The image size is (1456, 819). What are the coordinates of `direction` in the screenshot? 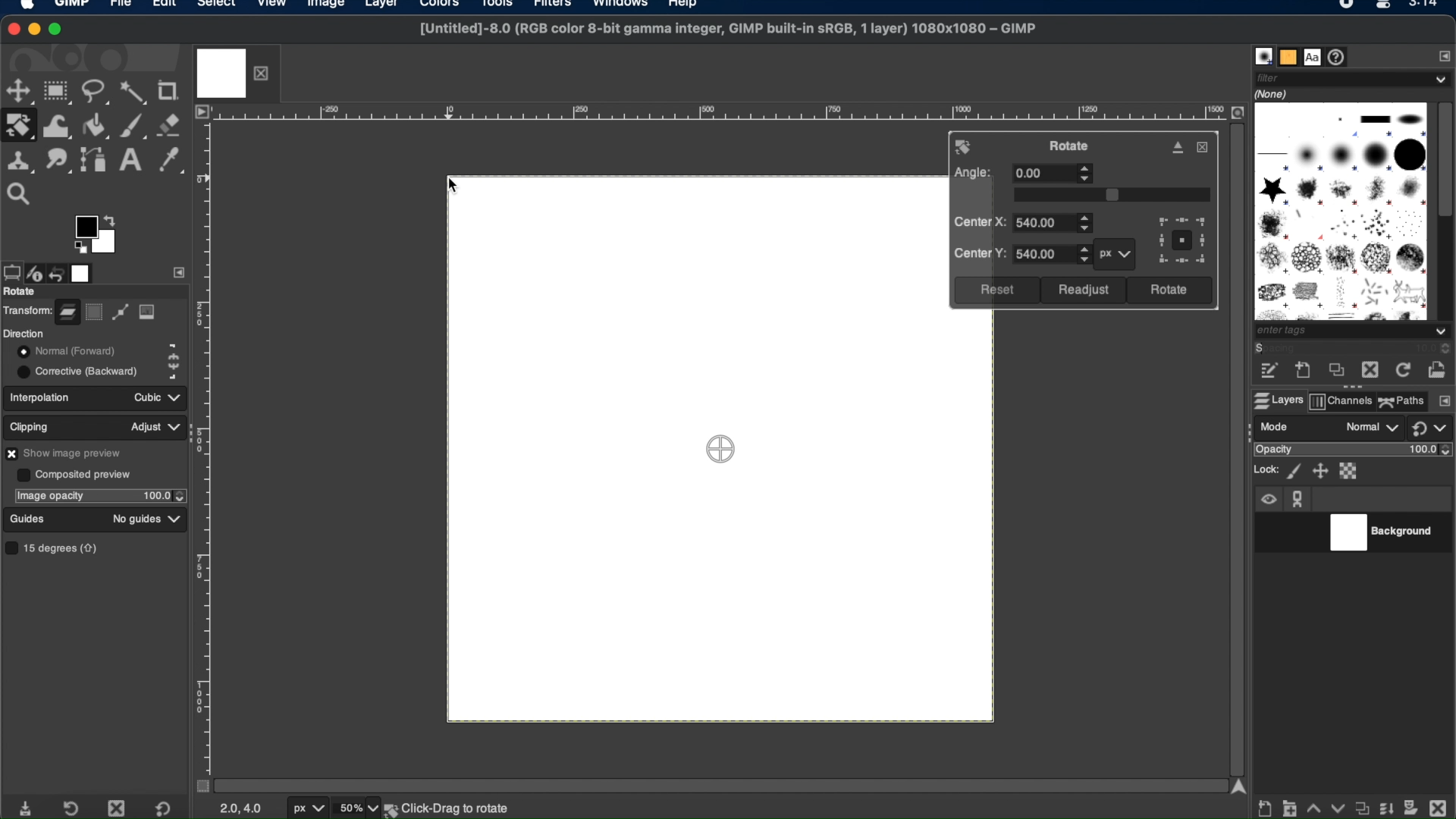 It's located at (24, 333).